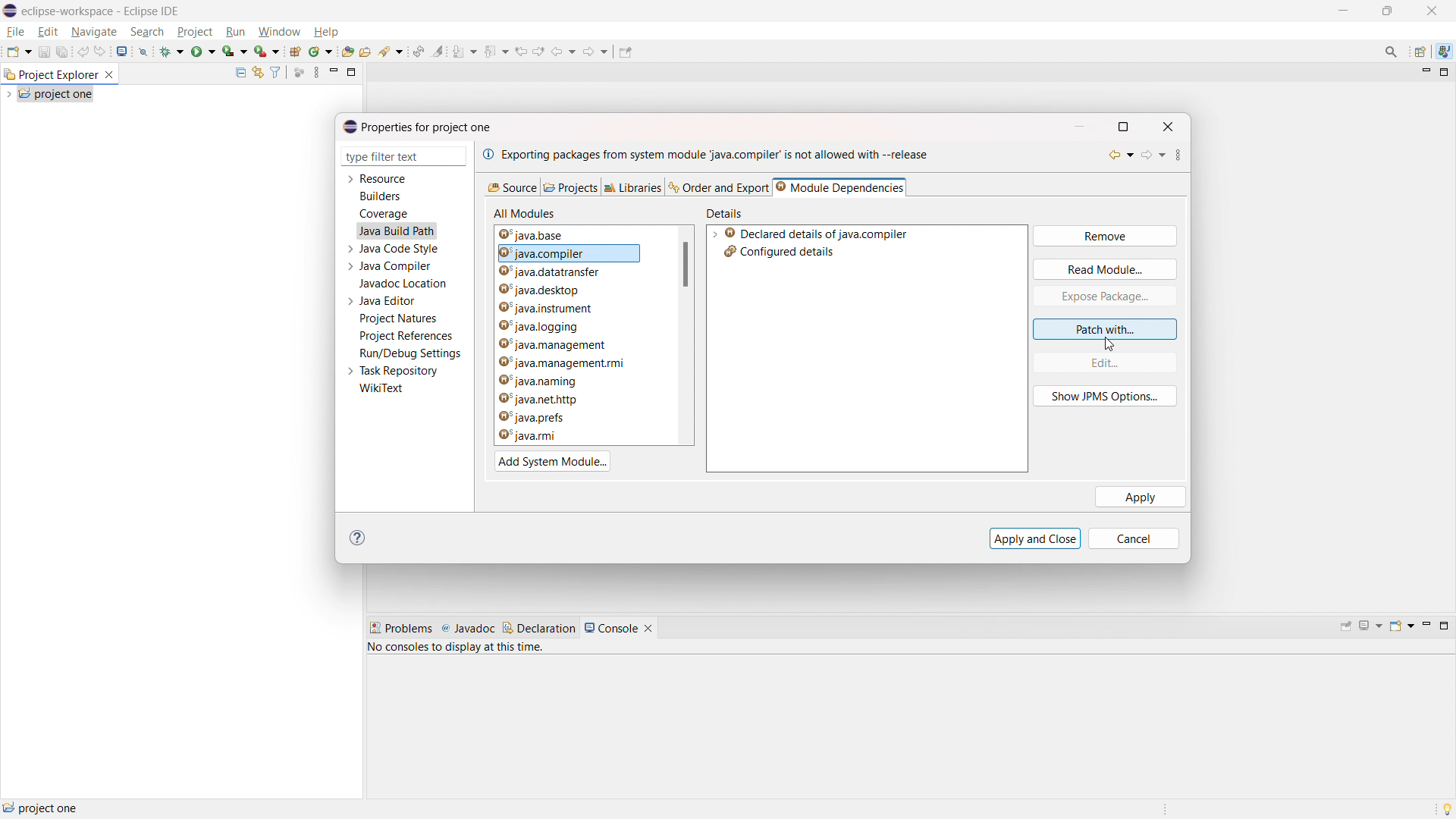 This screenshot has height=819, width=1456. I want to click on forward, so click(1154, 157).